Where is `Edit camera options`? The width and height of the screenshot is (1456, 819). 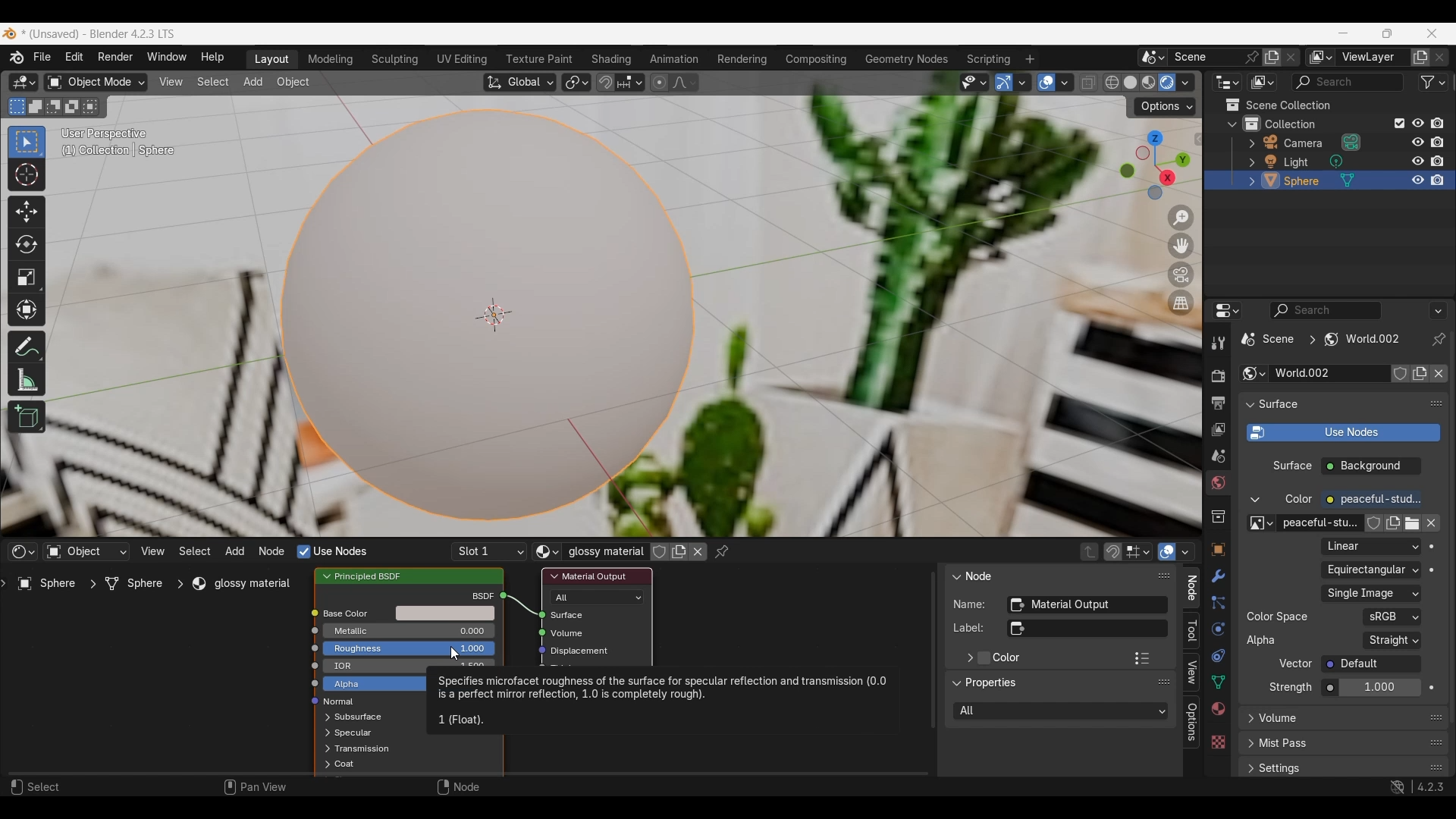 Edit camera options is located at coordinates (1271, 142).